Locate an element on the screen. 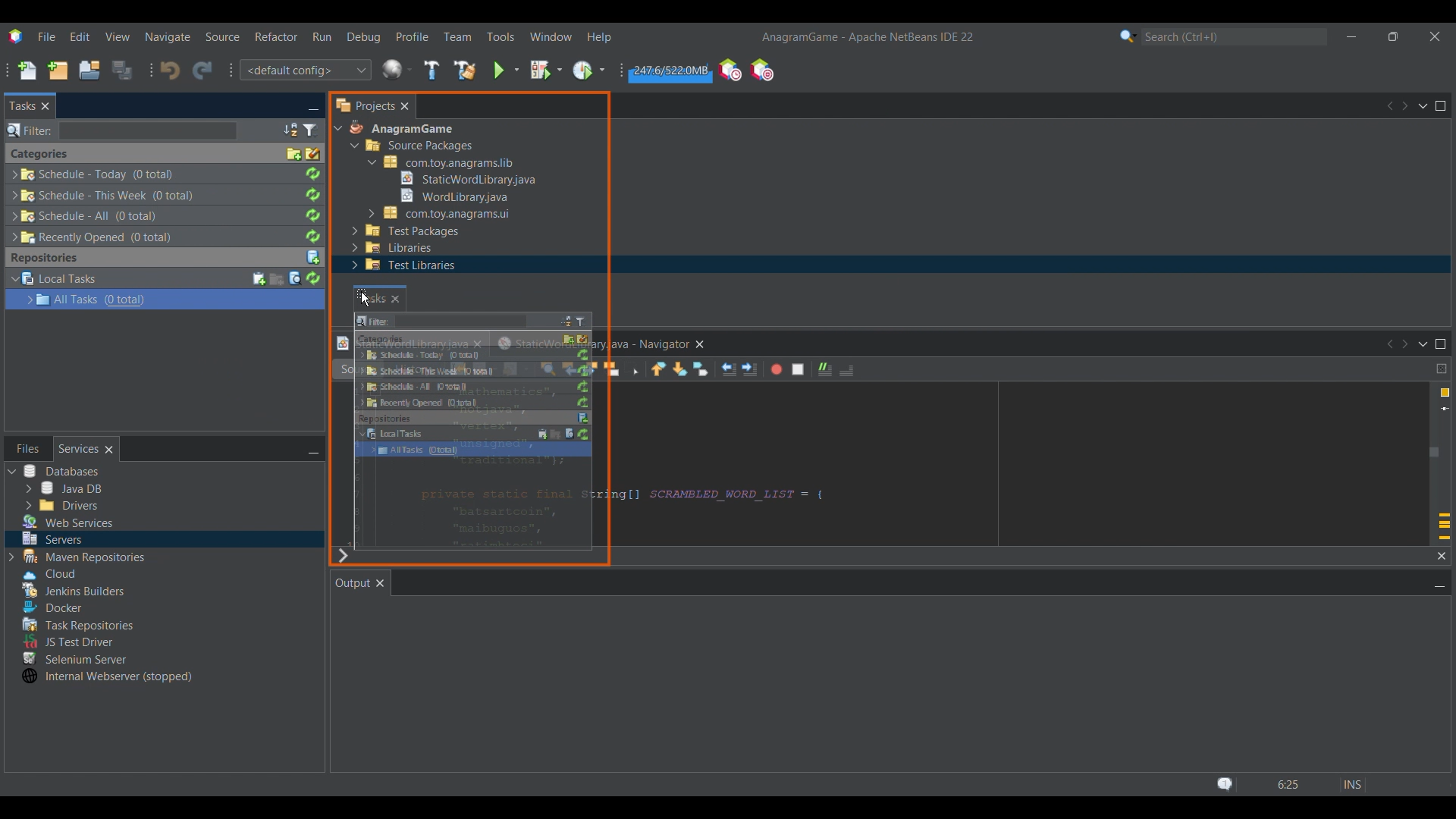 The width and height of the screenshot is (1456, 819).  is located at coordinates (83, 557).